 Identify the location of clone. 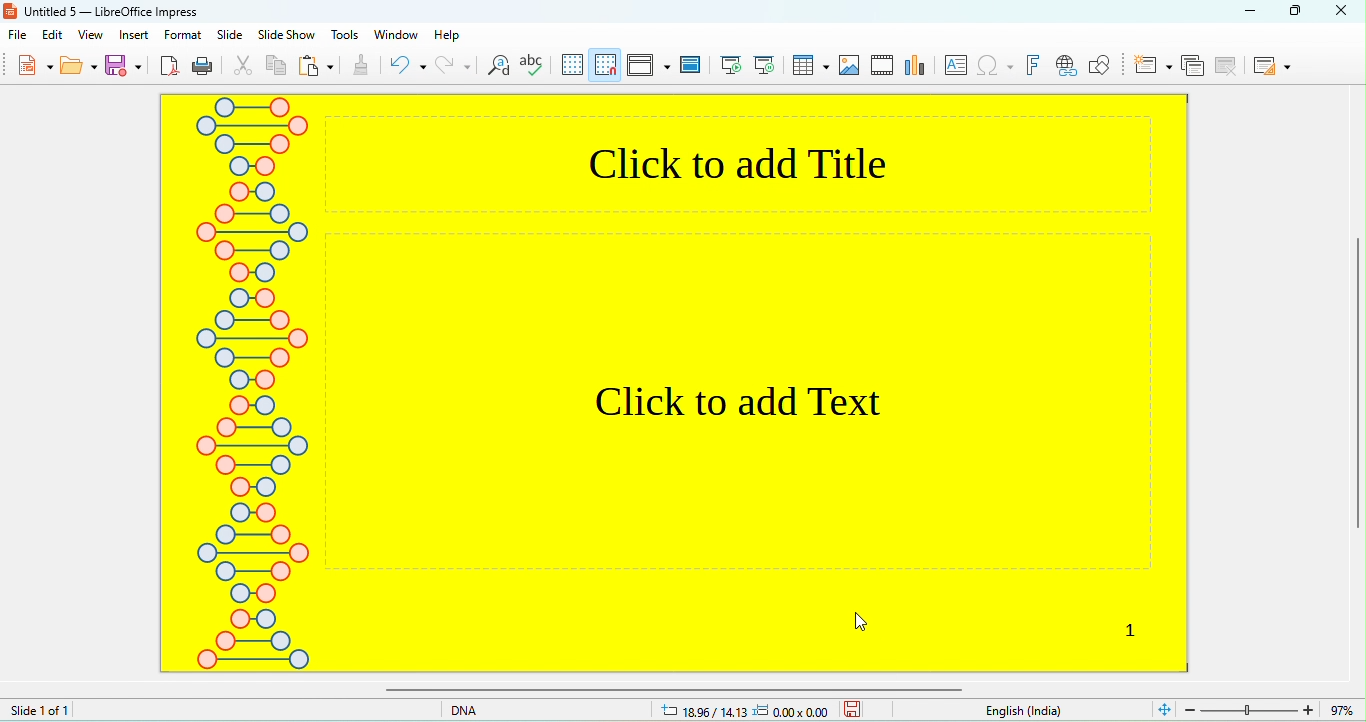
(360, 67).